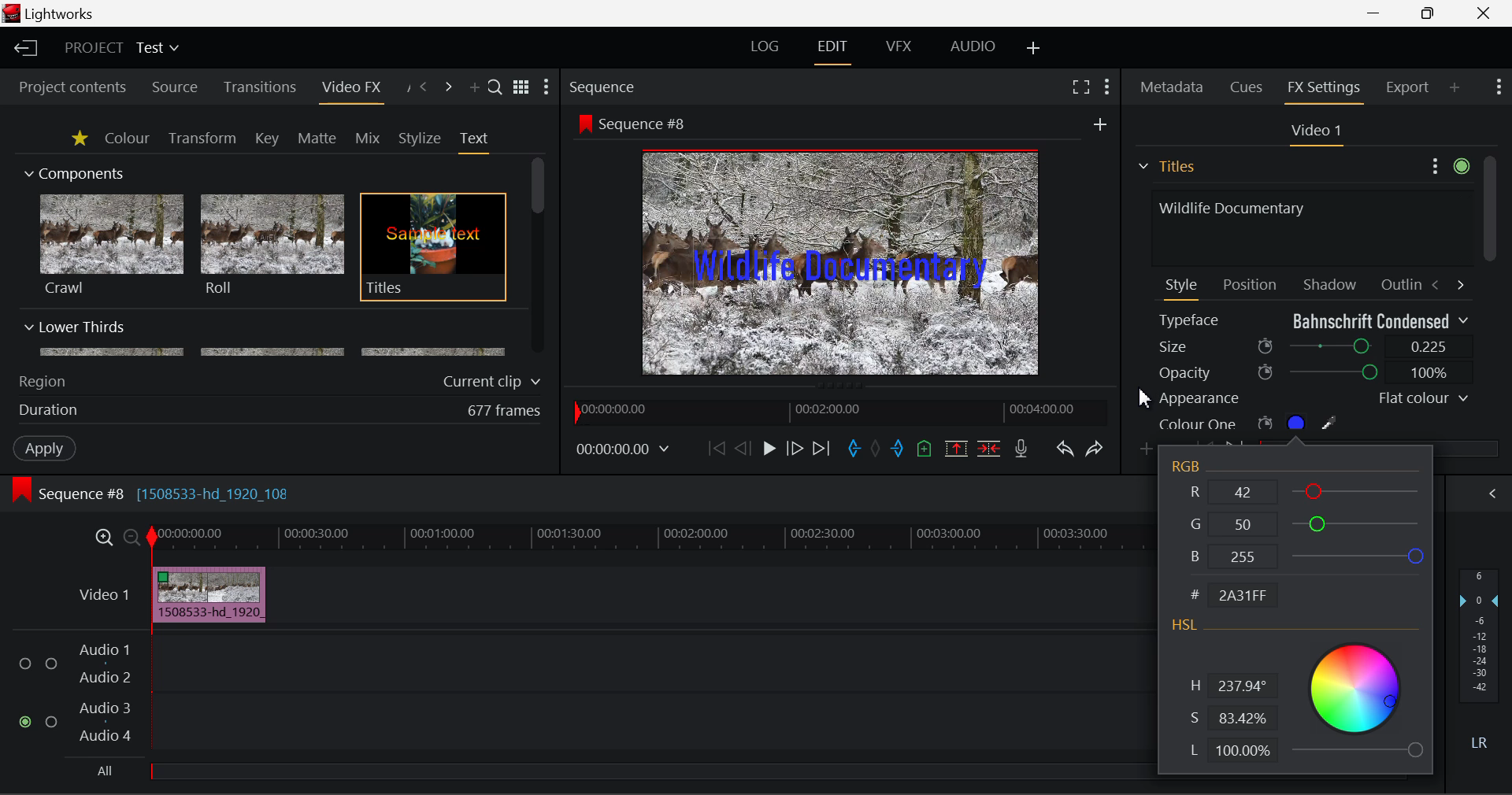 The image size is (1512, 795). What do you see at coordinates (1489, 294) in the screenshot?
I see `Scroll Bar` at bounding box center [1489, 294].